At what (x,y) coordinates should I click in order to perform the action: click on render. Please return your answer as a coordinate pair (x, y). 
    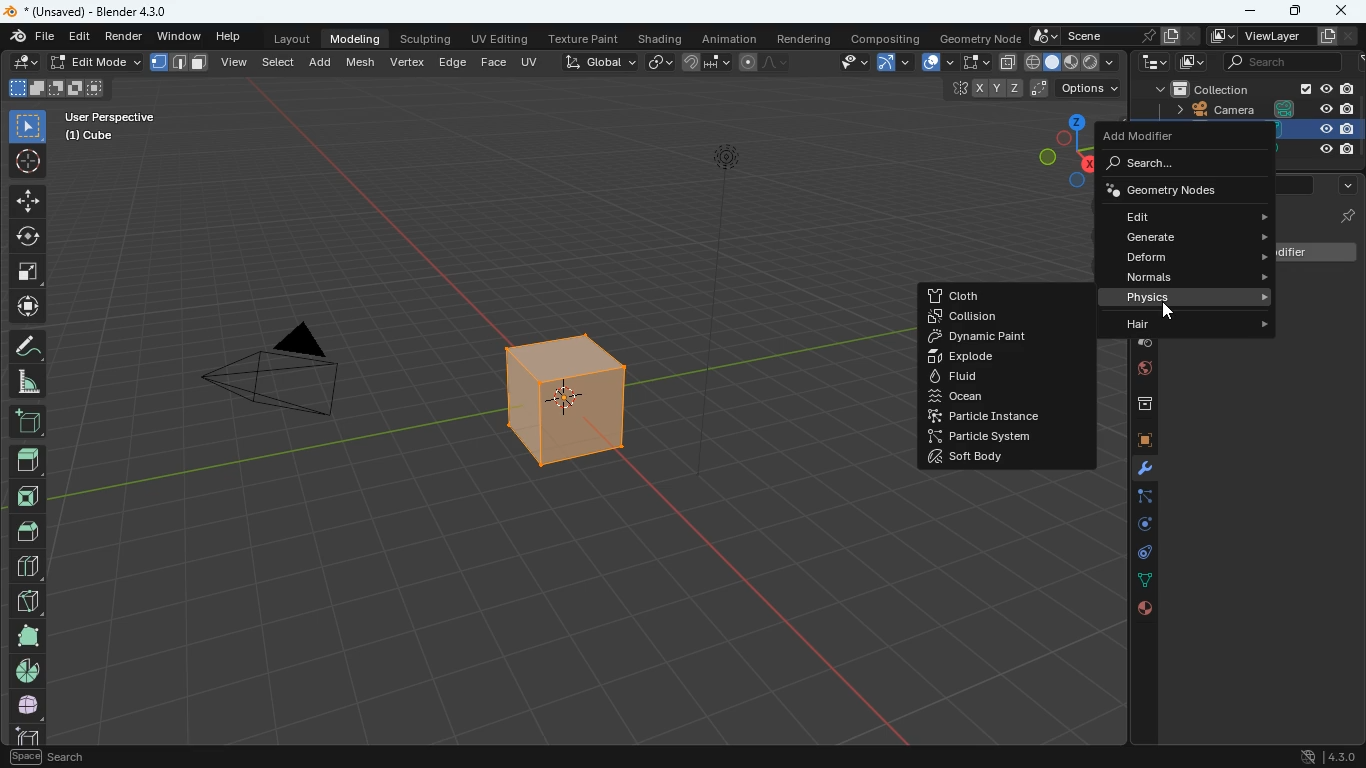
    Looking at the image, I should click on (125, 35).